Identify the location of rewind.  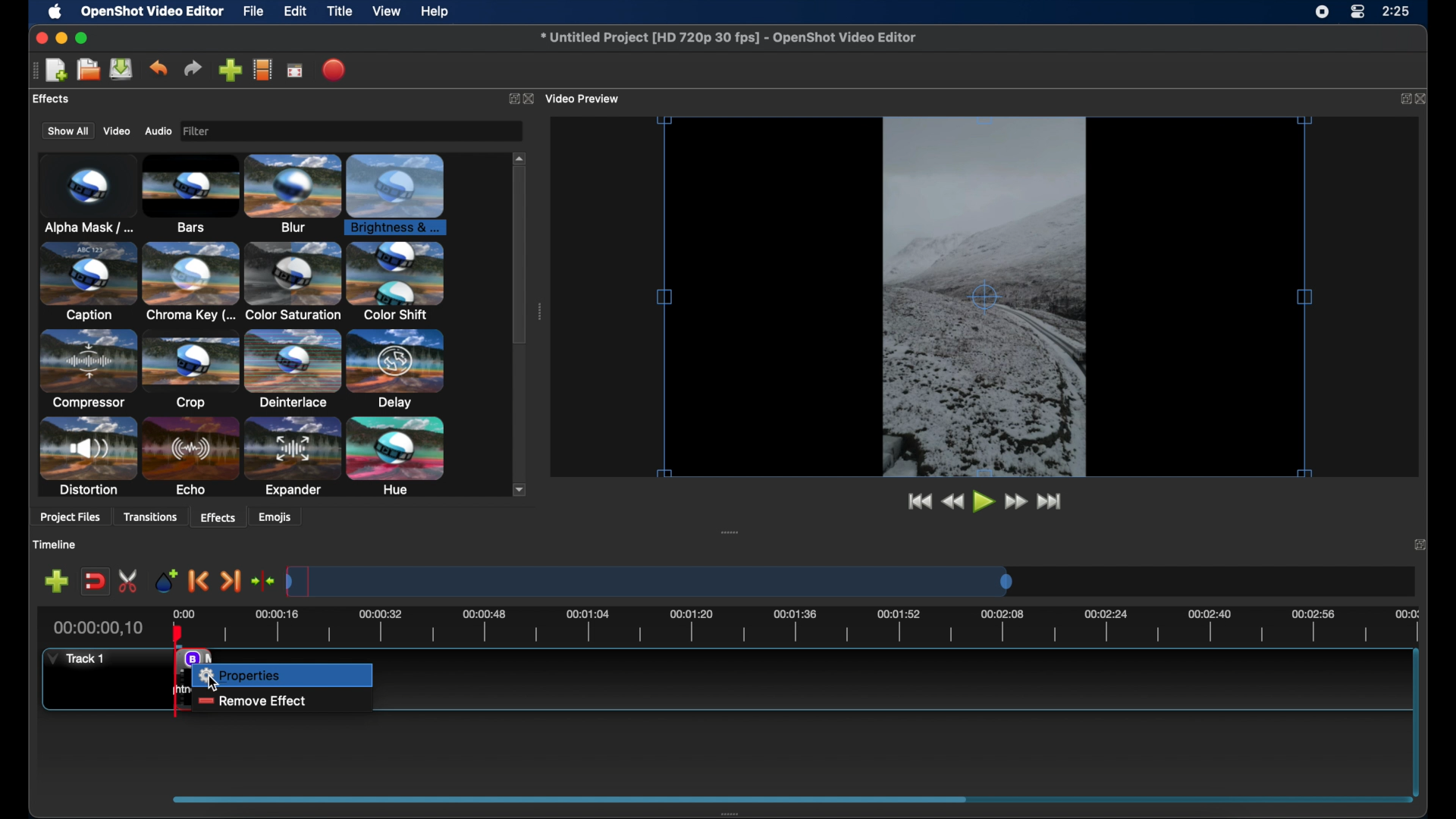
(952, 501).